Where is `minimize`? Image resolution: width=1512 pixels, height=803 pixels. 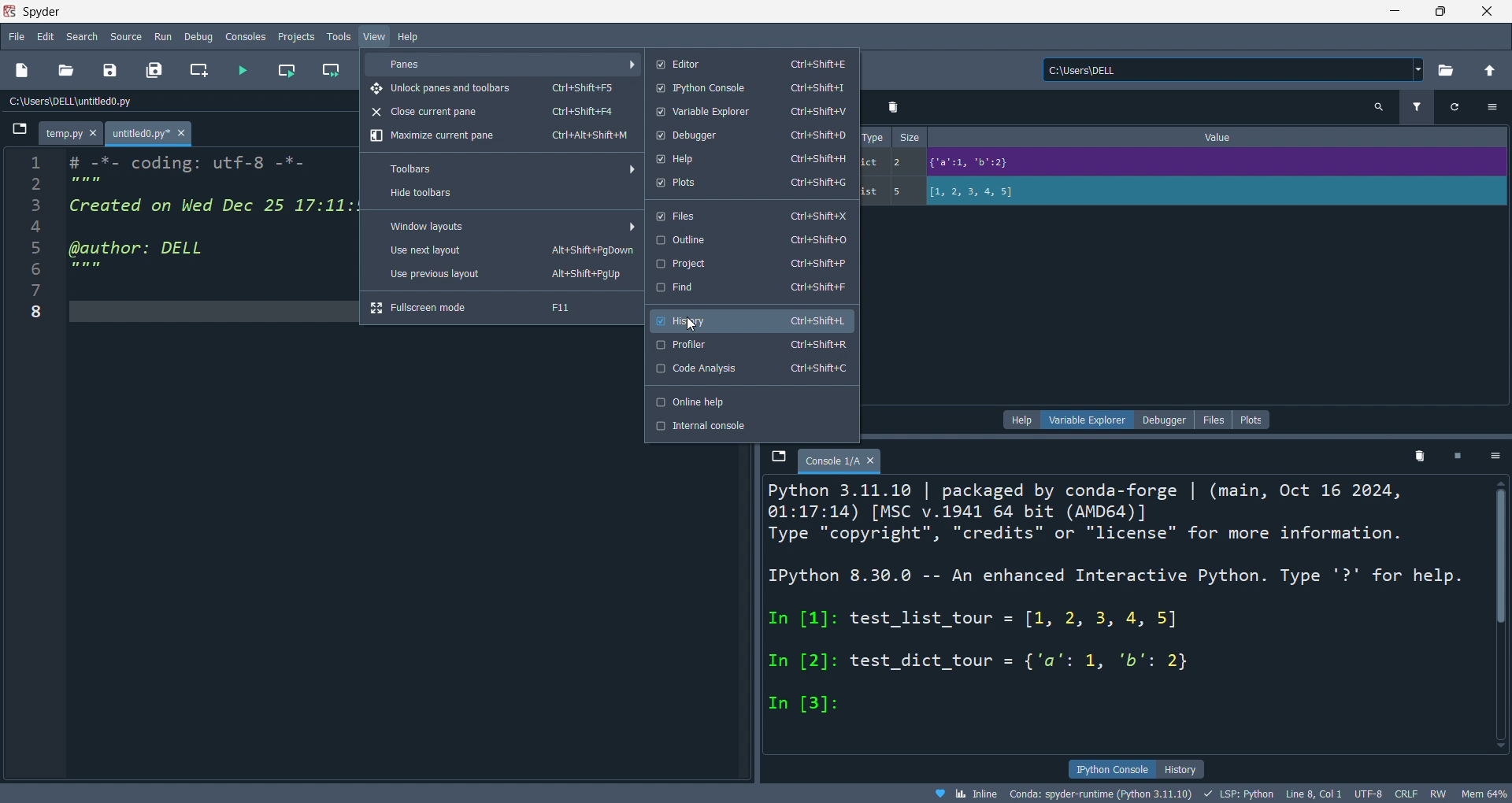 minimize is located at coordinates (1392, 10).